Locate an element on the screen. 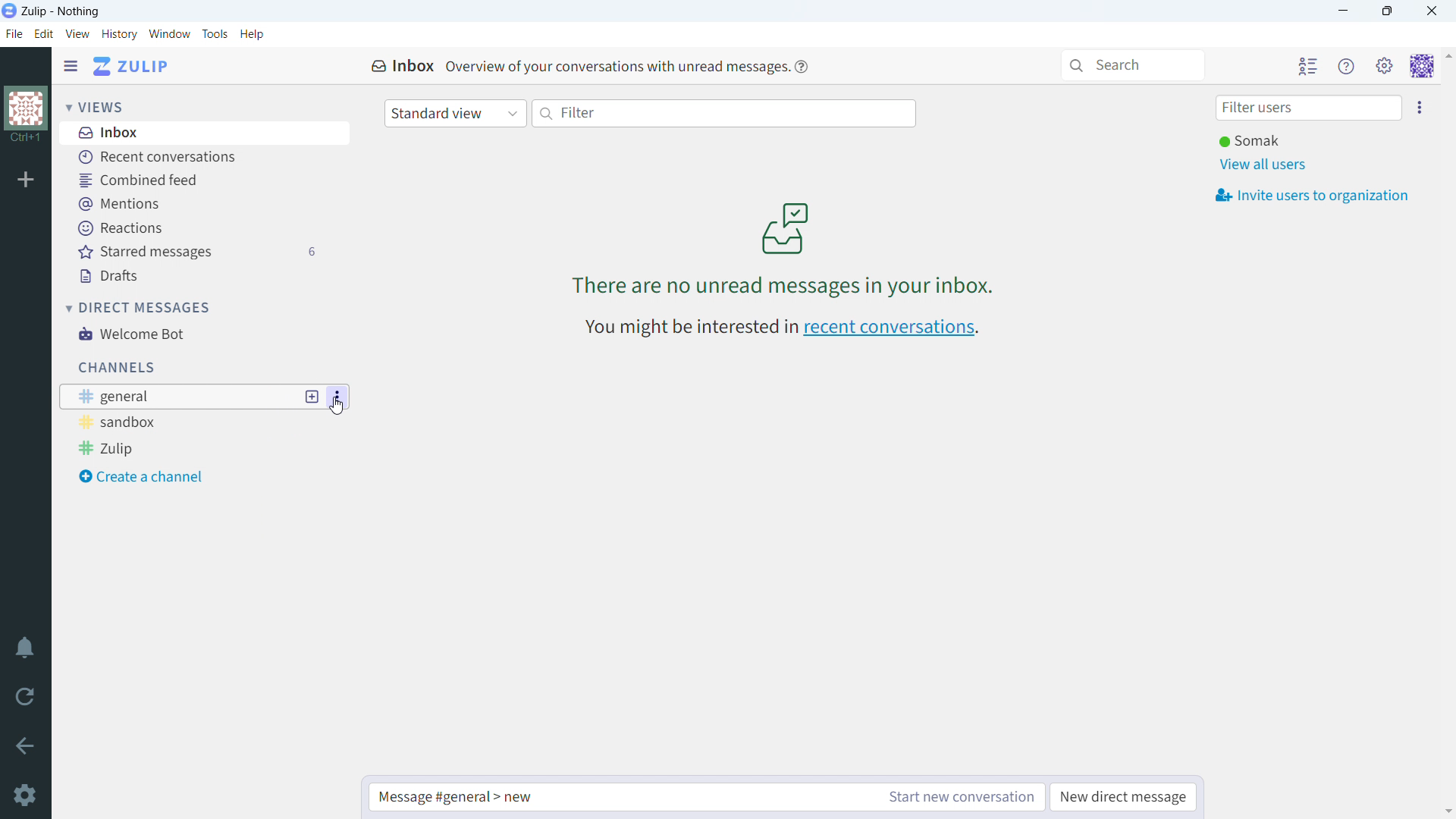  direct messages is located at coordinates (140, 307).